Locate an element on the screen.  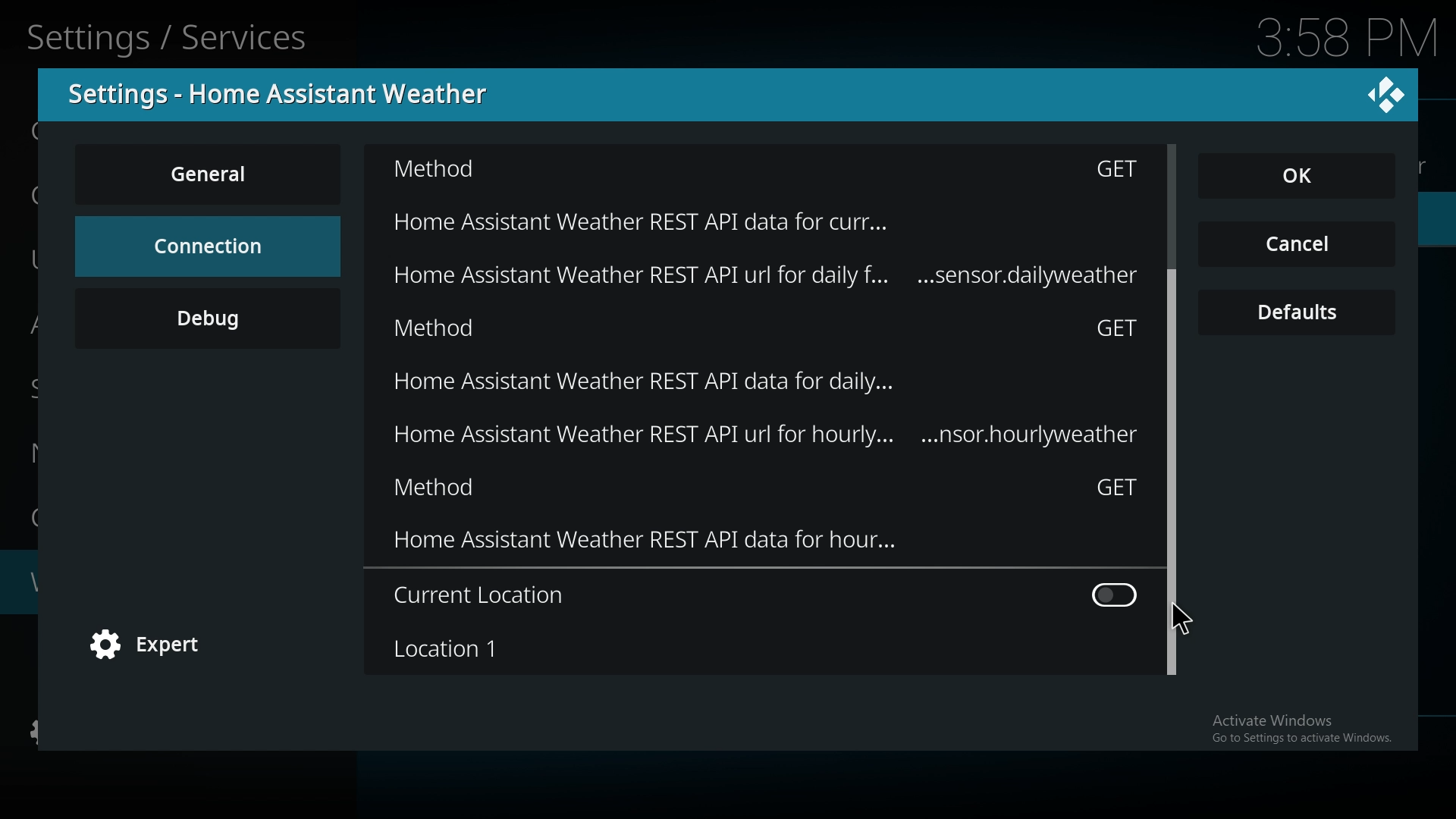
Home assistant weather rest API data for daily is located at coordinates (804, 279).